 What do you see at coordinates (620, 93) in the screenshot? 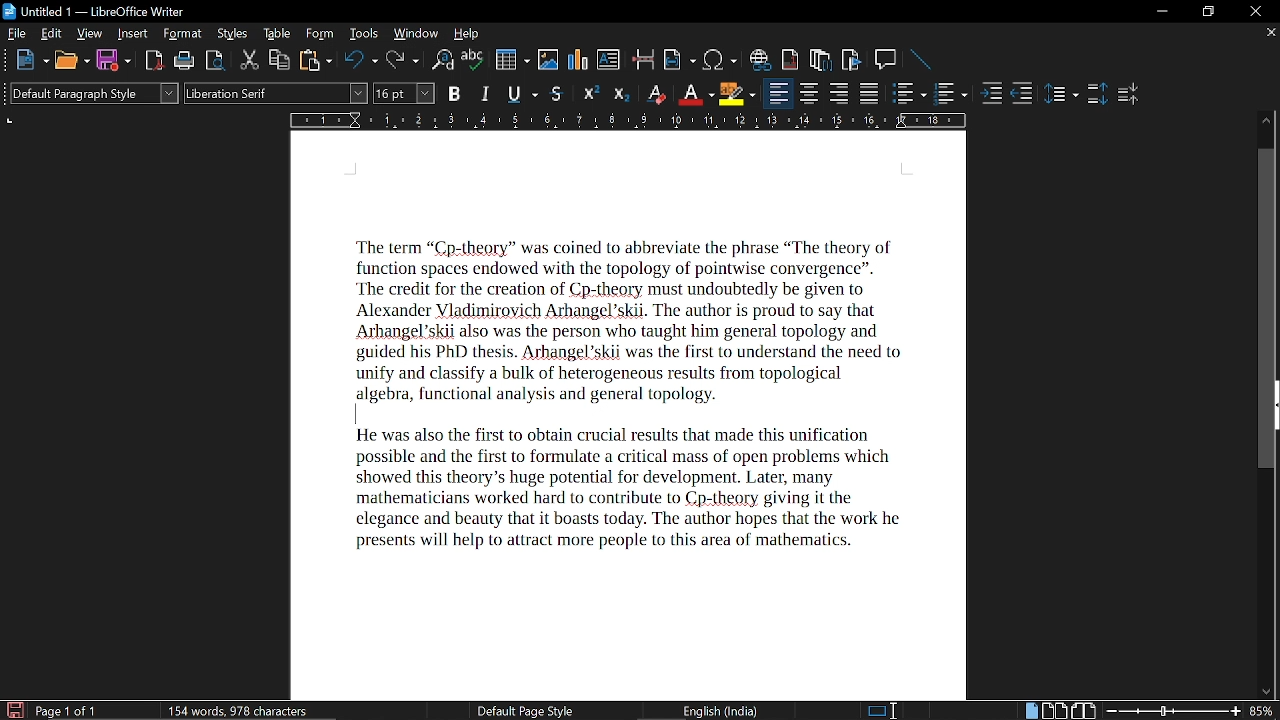
I see `Subscript` at bounding box center [620, 93].